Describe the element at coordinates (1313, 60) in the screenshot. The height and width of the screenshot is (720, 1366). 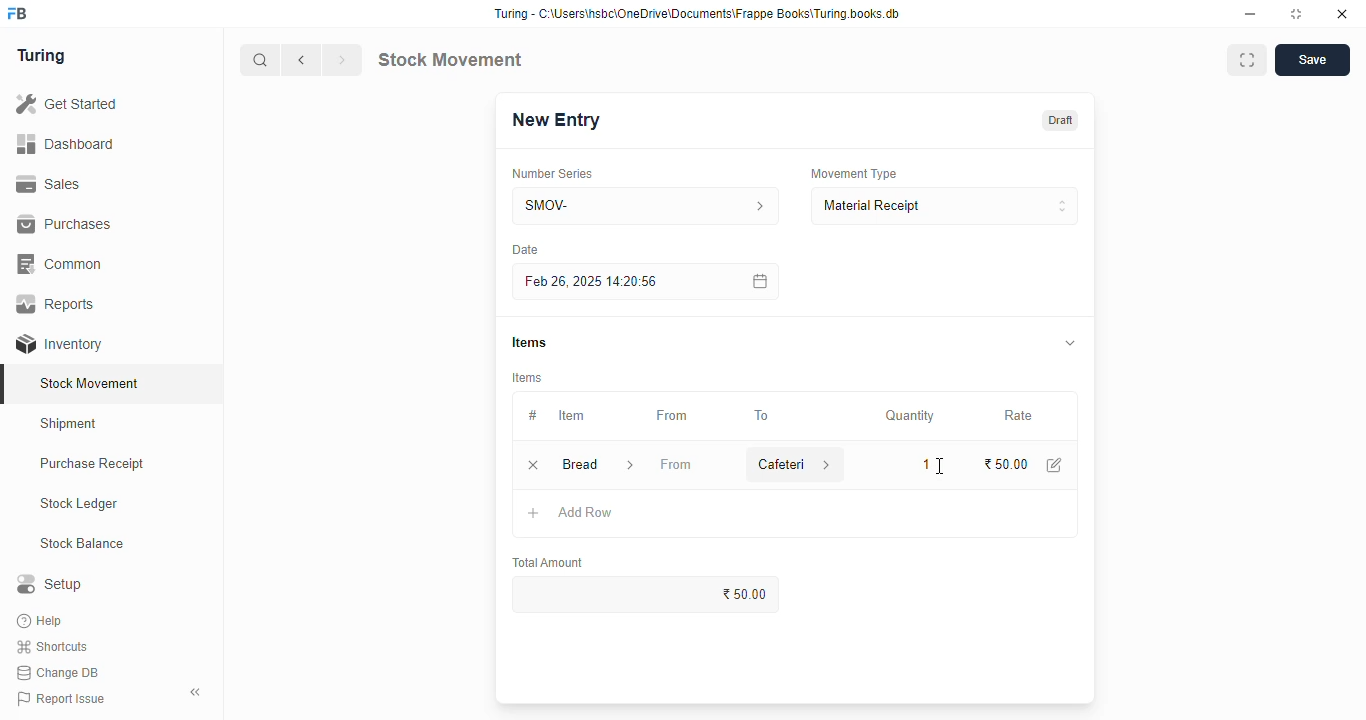
I see `save` at that location.